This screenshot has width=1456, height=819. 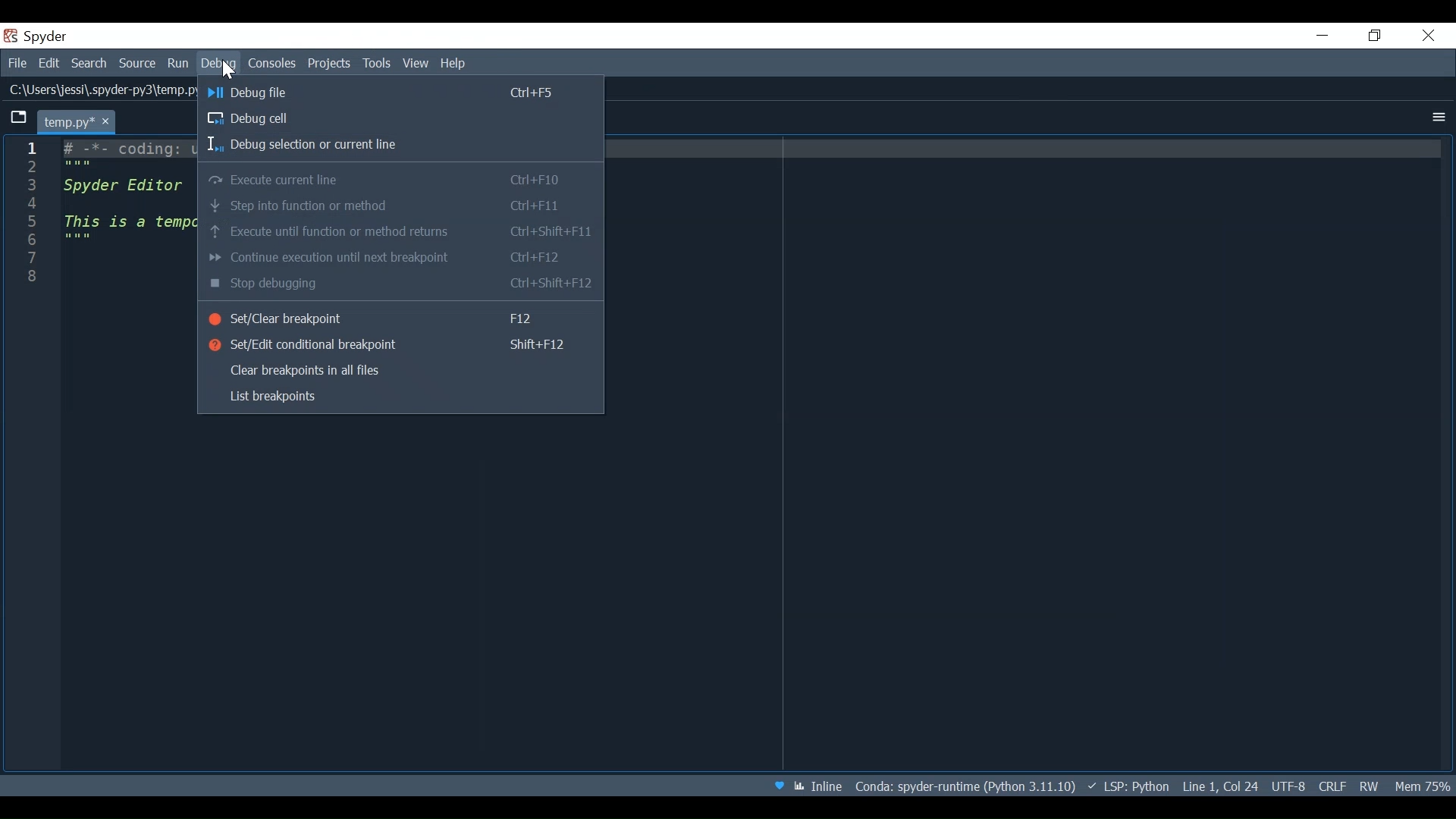 I want to click on Cursor position, so click(x=1222, y=786).